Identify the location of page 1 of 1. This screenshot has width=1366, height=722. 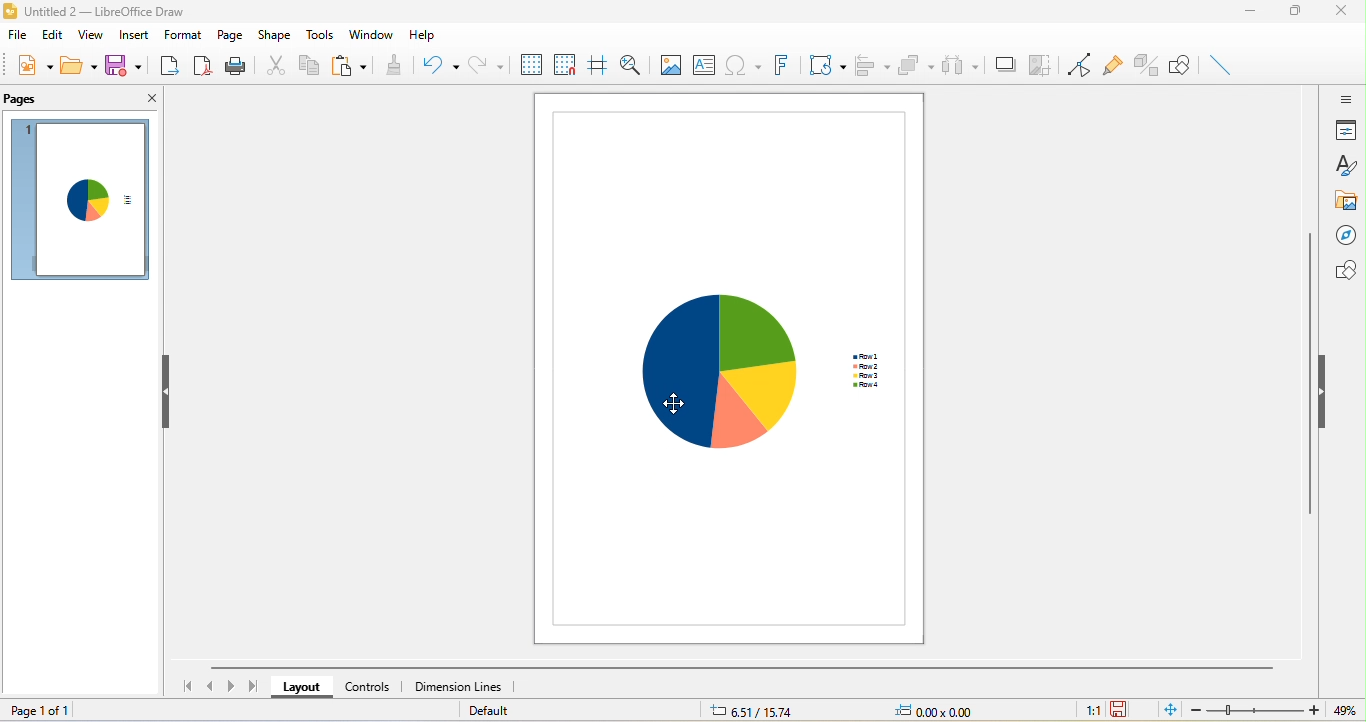
(56, 712).